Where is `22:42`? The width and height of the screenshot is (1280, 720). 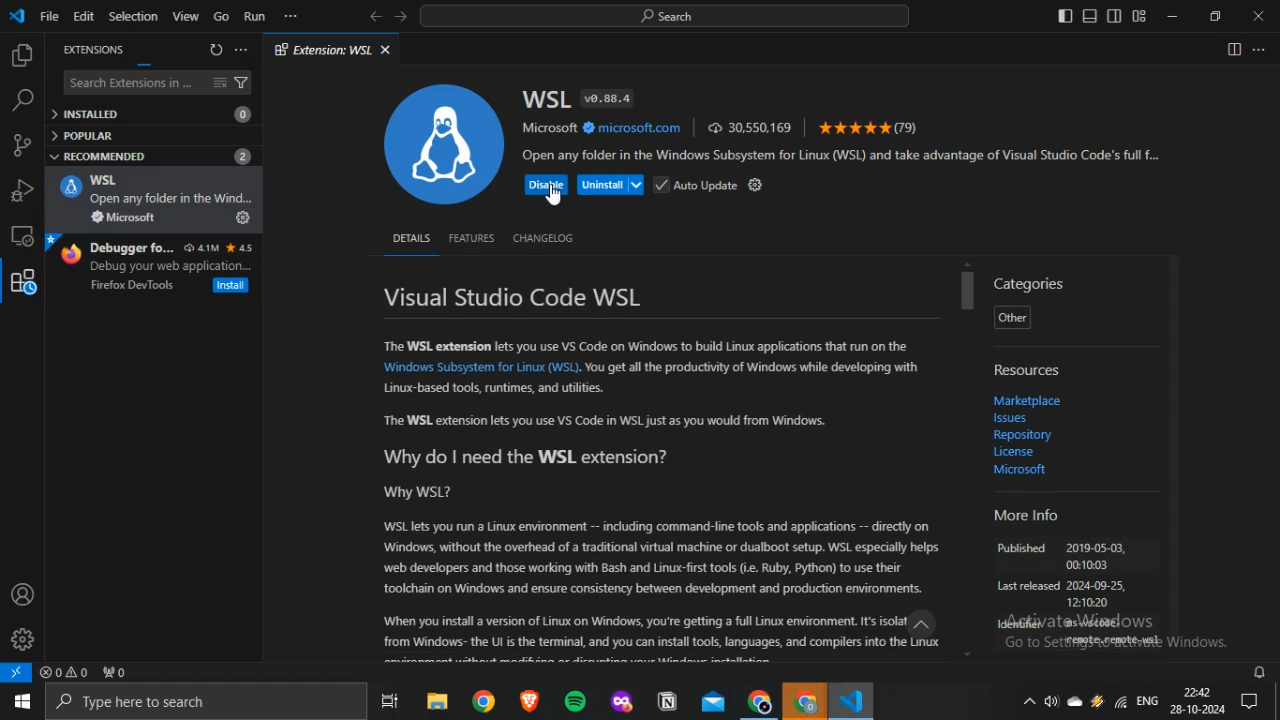
22:42 is located at coordinates (1196, 690).